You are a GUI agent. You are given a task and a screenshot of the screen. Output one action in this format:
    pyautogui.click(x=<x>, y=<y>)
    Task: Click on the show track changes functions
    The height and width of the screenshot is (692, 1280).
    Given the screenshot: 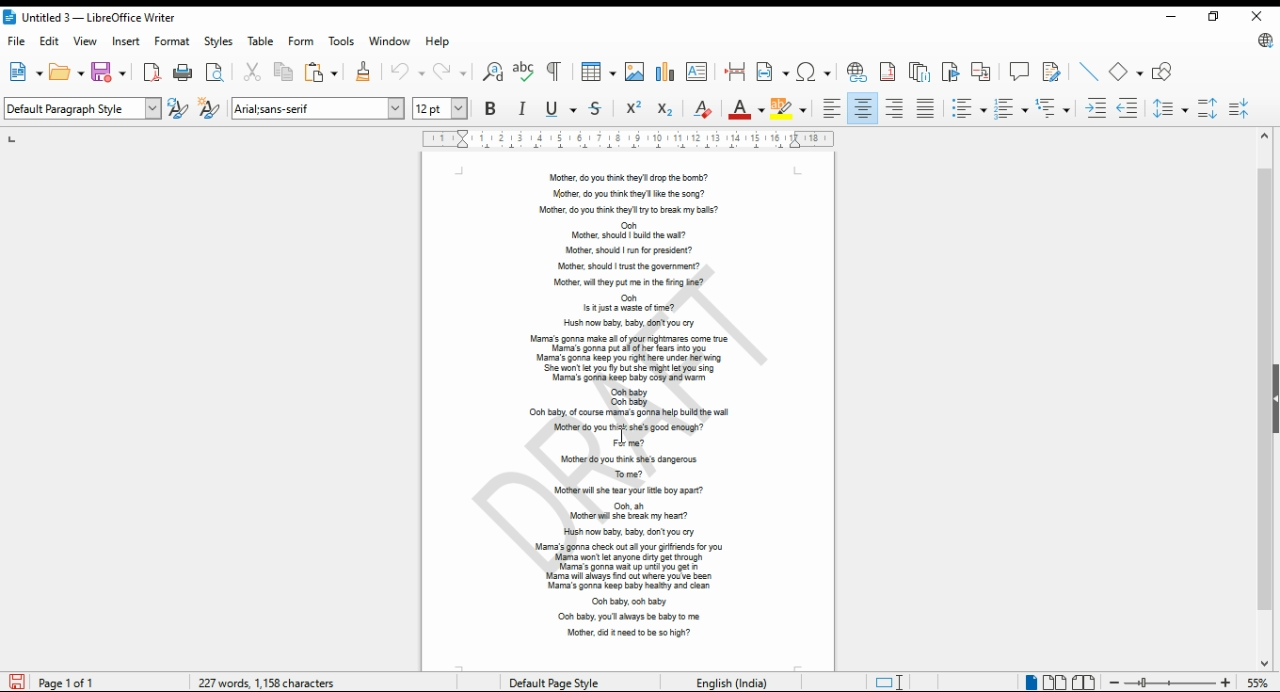 What is the action you would take?
    pyautogui.click(x=1052, y=72)
    